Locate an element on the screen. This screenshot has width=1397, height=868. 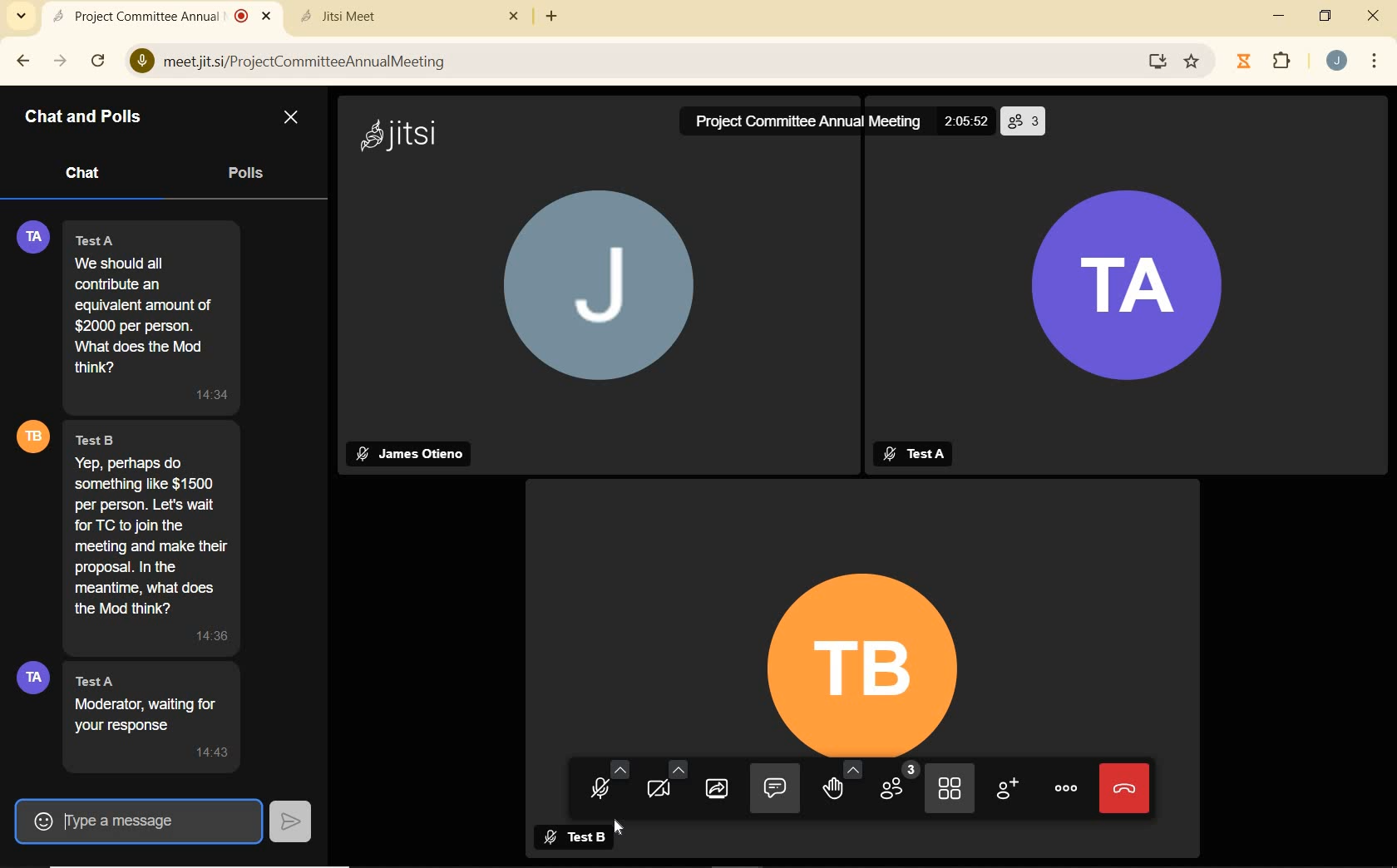
participants (3) is located at coordinates (1026, 121).